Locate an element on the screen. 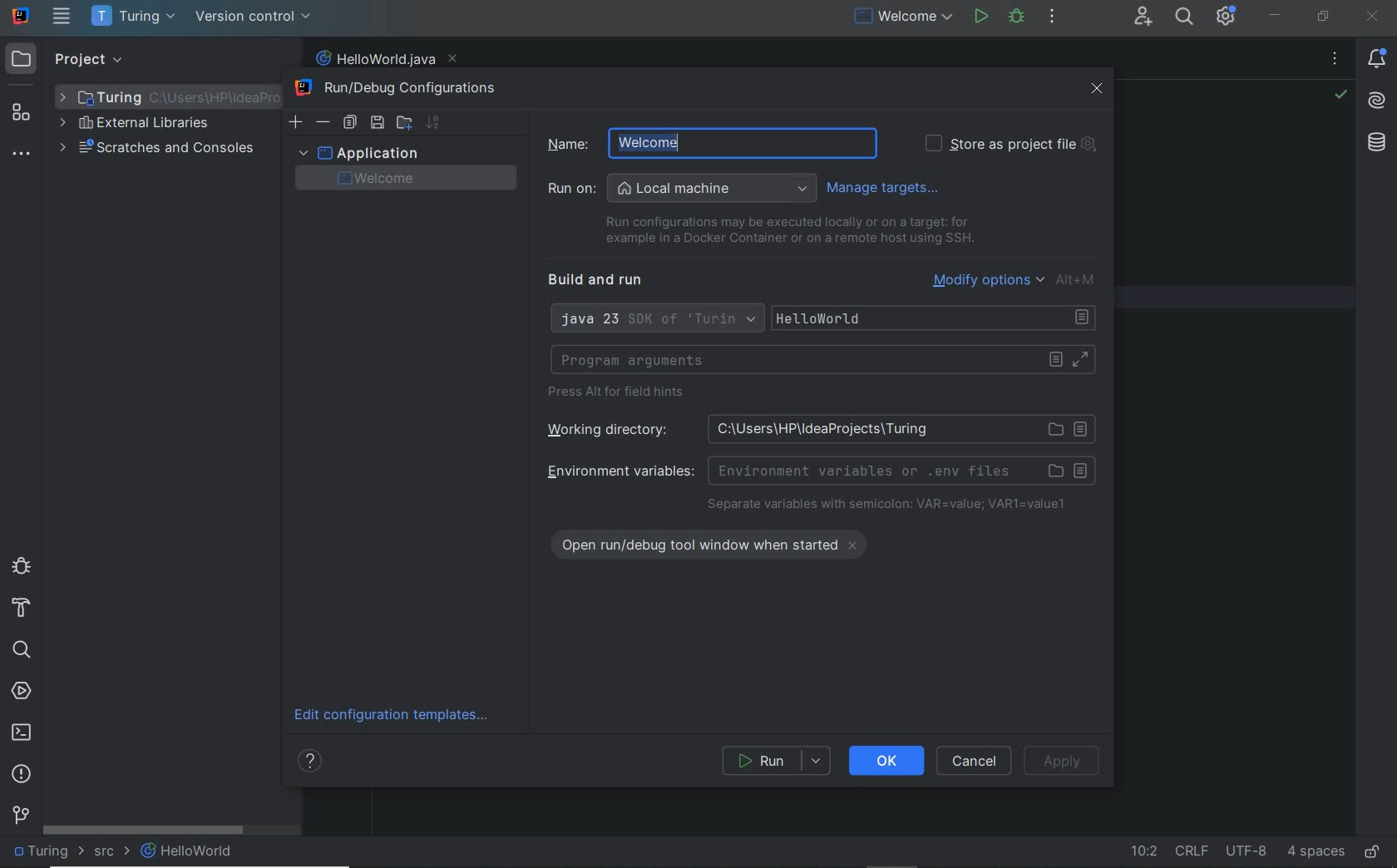 The height and width of the screenshot is (868, 1397). file name is located at coordinates (385, 59).